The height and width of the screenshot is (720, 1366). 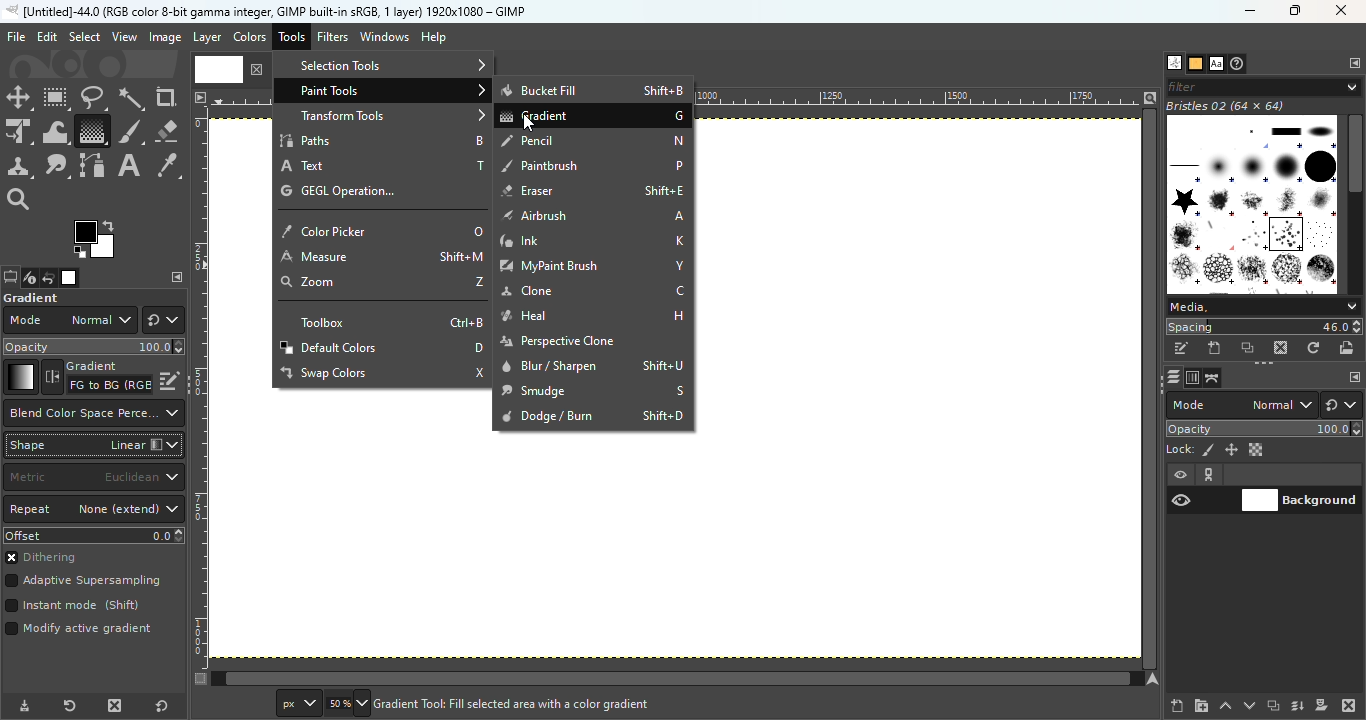 I want to click on Open the tools option dialog, so click(x=9, y=279).